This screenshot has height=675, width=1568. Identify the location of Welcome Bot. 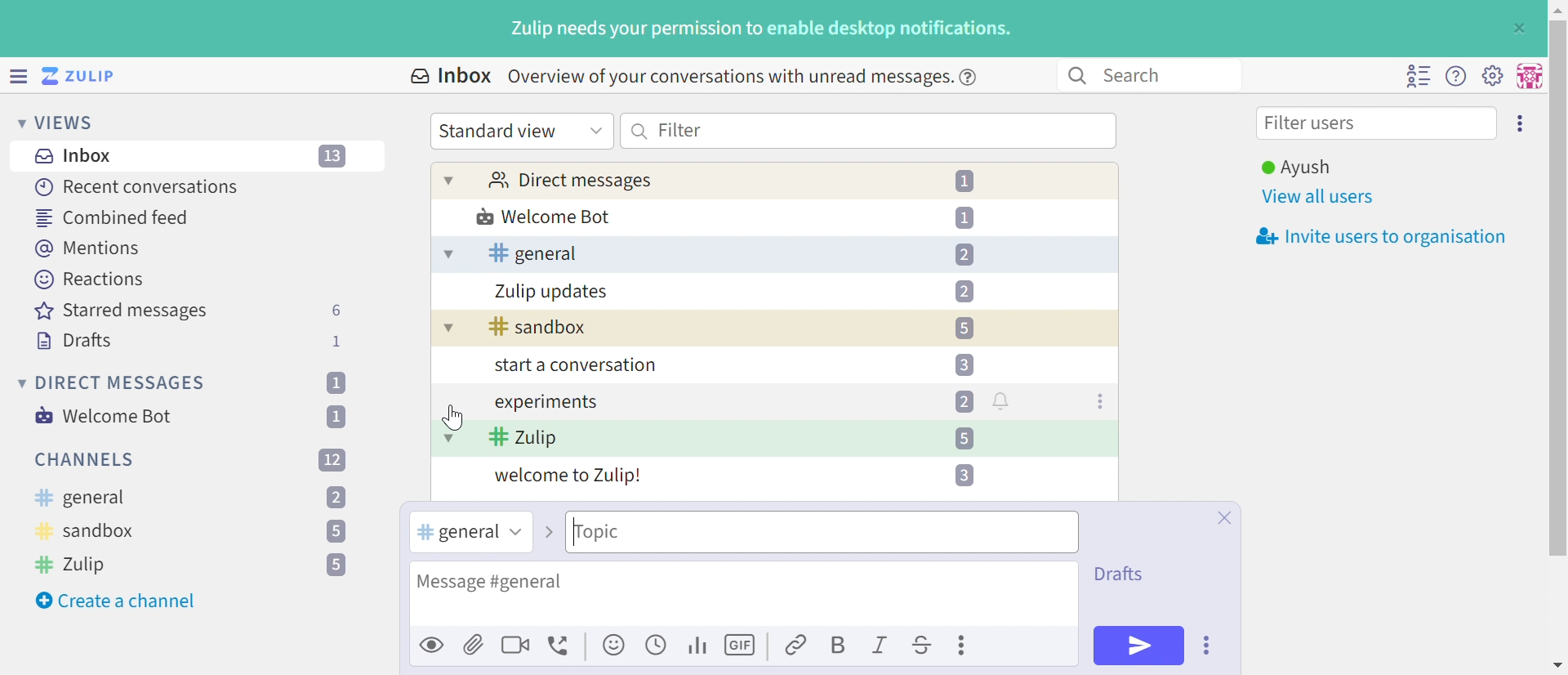
(105, 416).